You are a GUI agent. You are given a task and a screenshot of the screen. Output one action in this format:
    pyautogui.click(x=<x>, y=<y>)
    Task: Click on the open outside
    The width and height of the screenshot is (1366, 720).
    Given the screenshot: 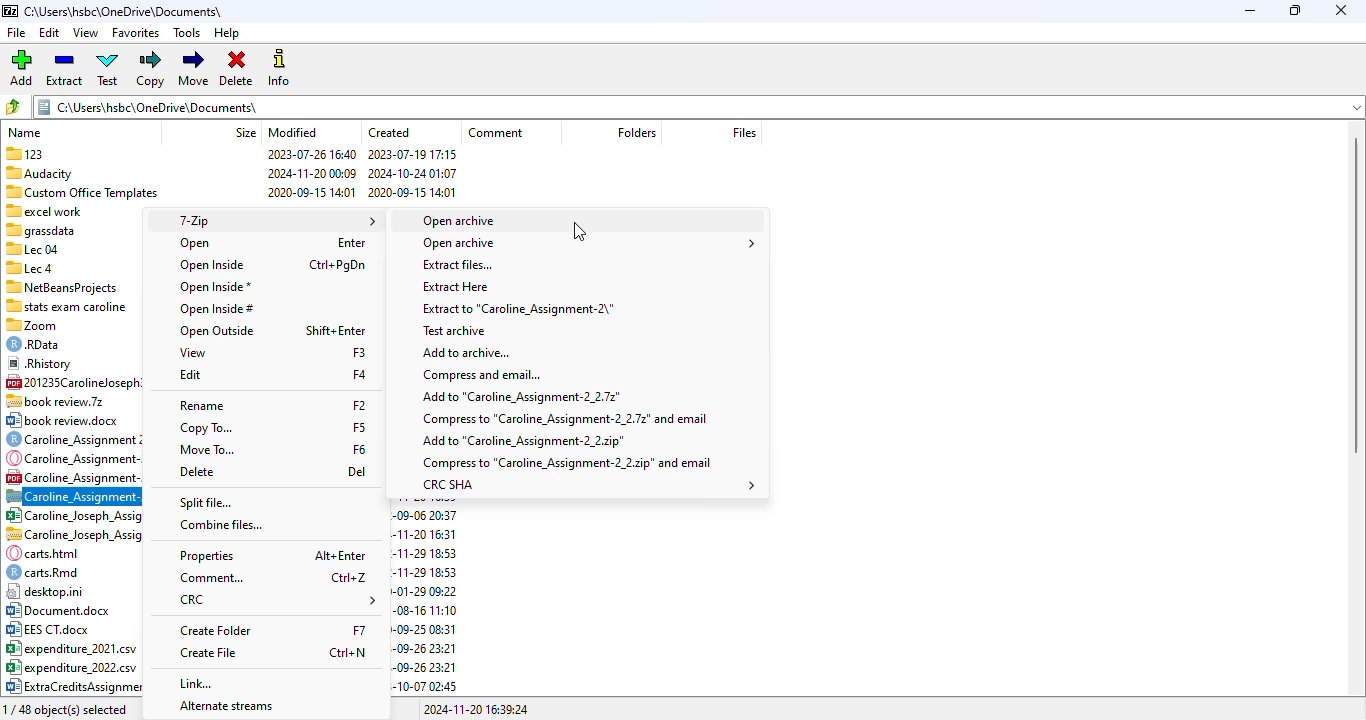 What is the action you would take?
    pyautogui.click(x=217, y=331)
    